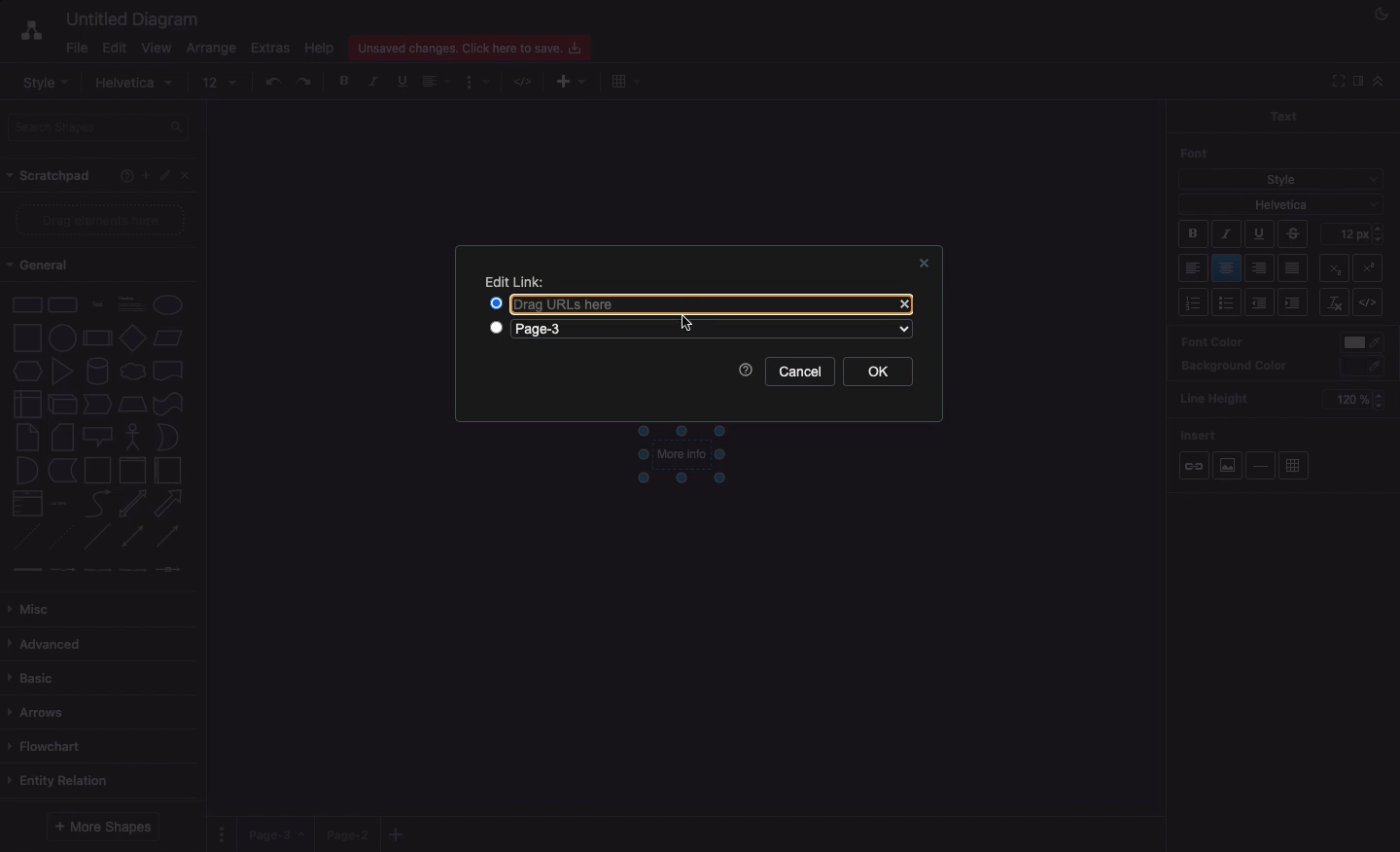 The width and height of the screenshot is (1400, 852). I want to click on More shapes, so click(106, 826).